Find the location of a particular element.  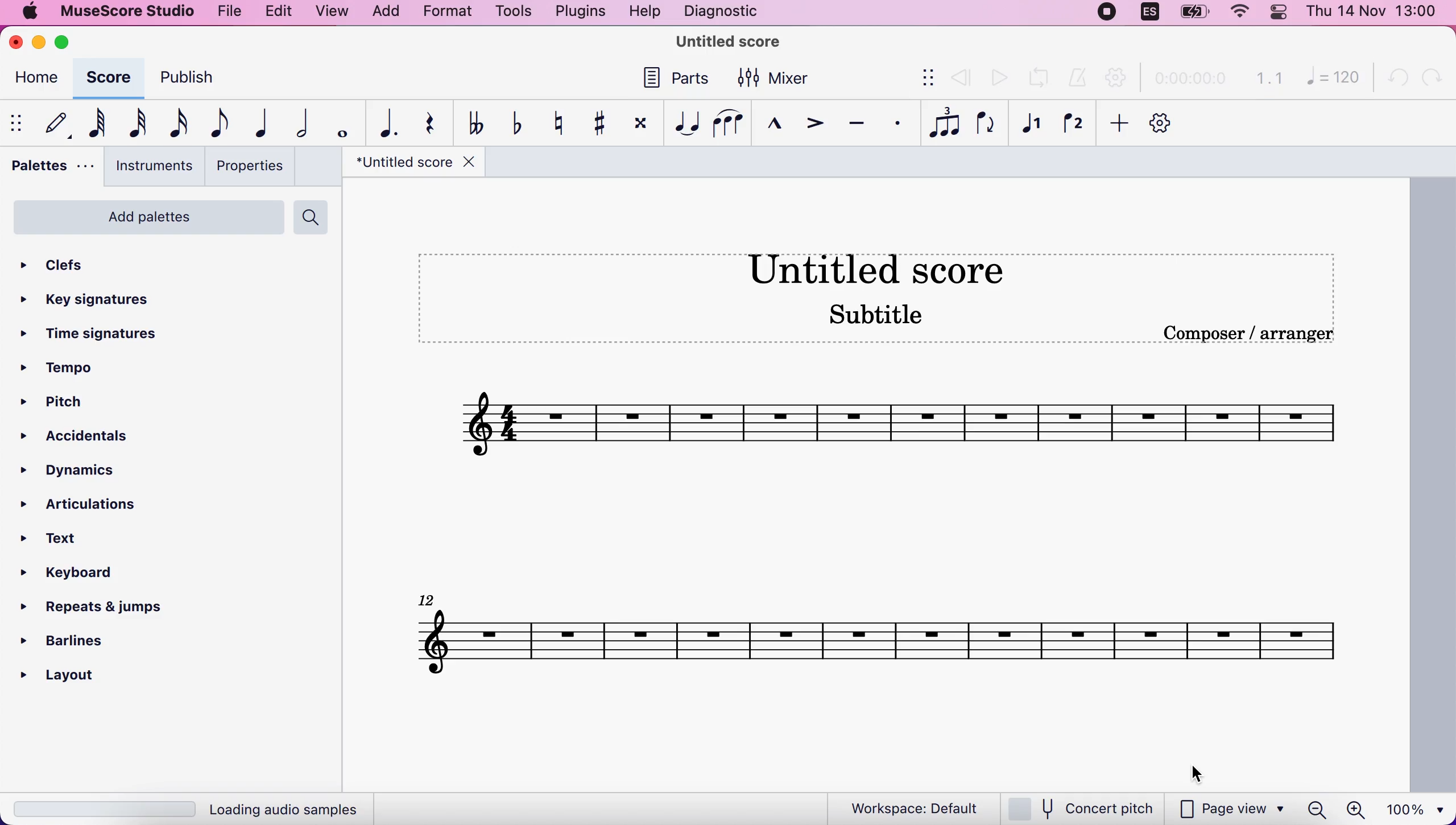

format is located at coordinates (449, 13).